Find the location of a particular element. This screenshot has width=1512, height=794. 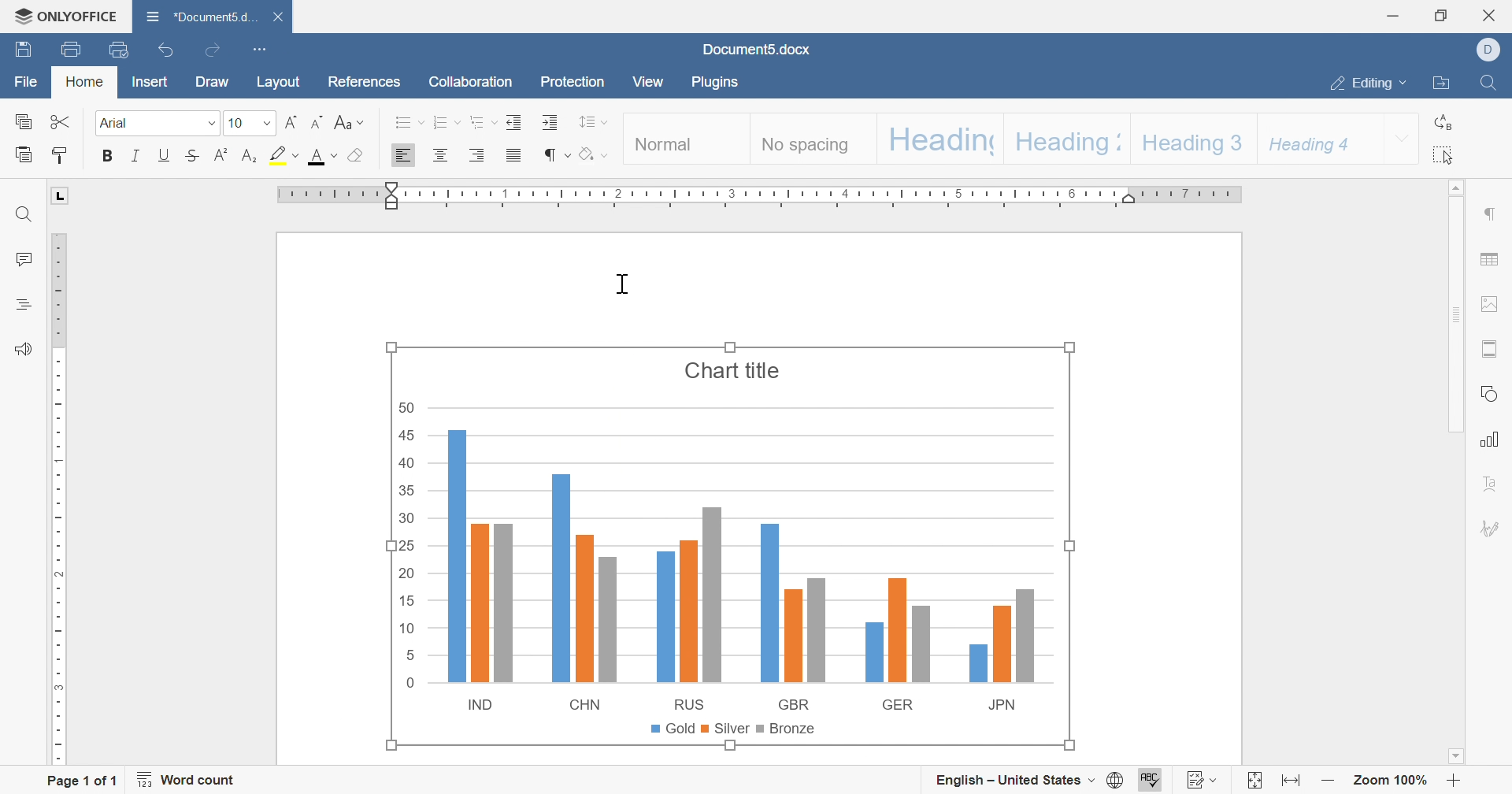

select all is located at coordinates (1446, 155).